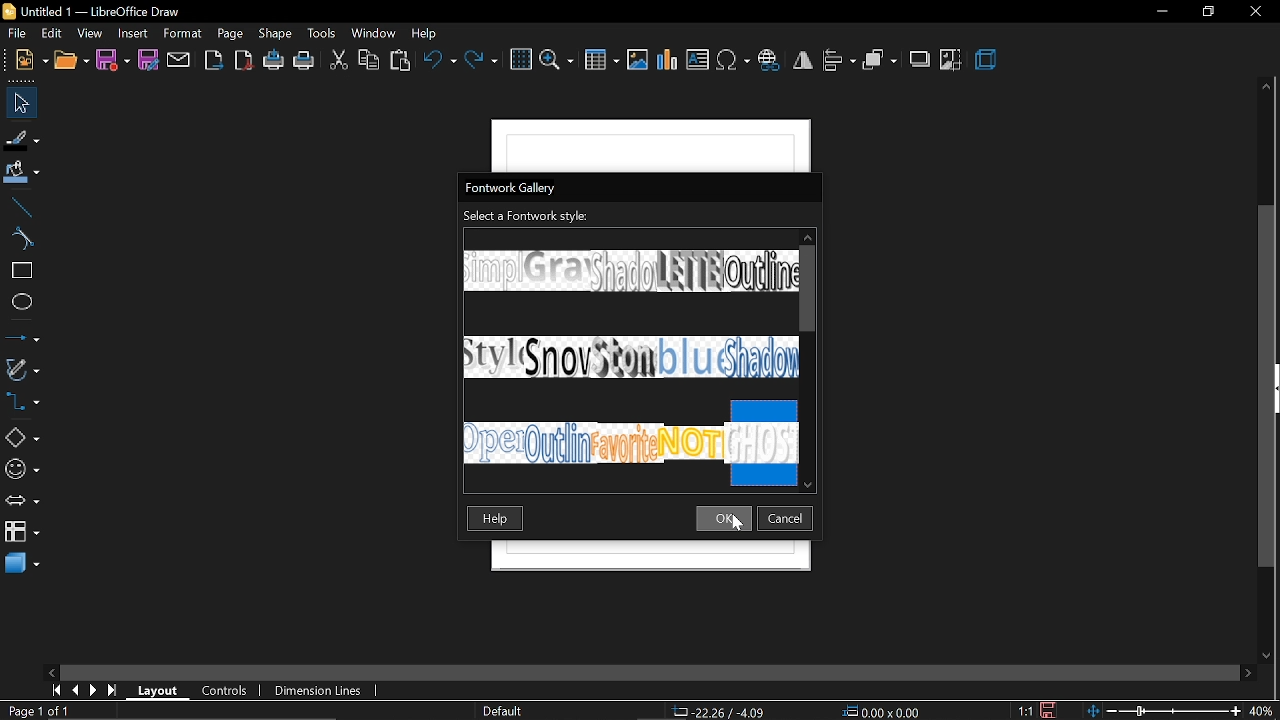  I want to click on insert image, so click(638, 60).